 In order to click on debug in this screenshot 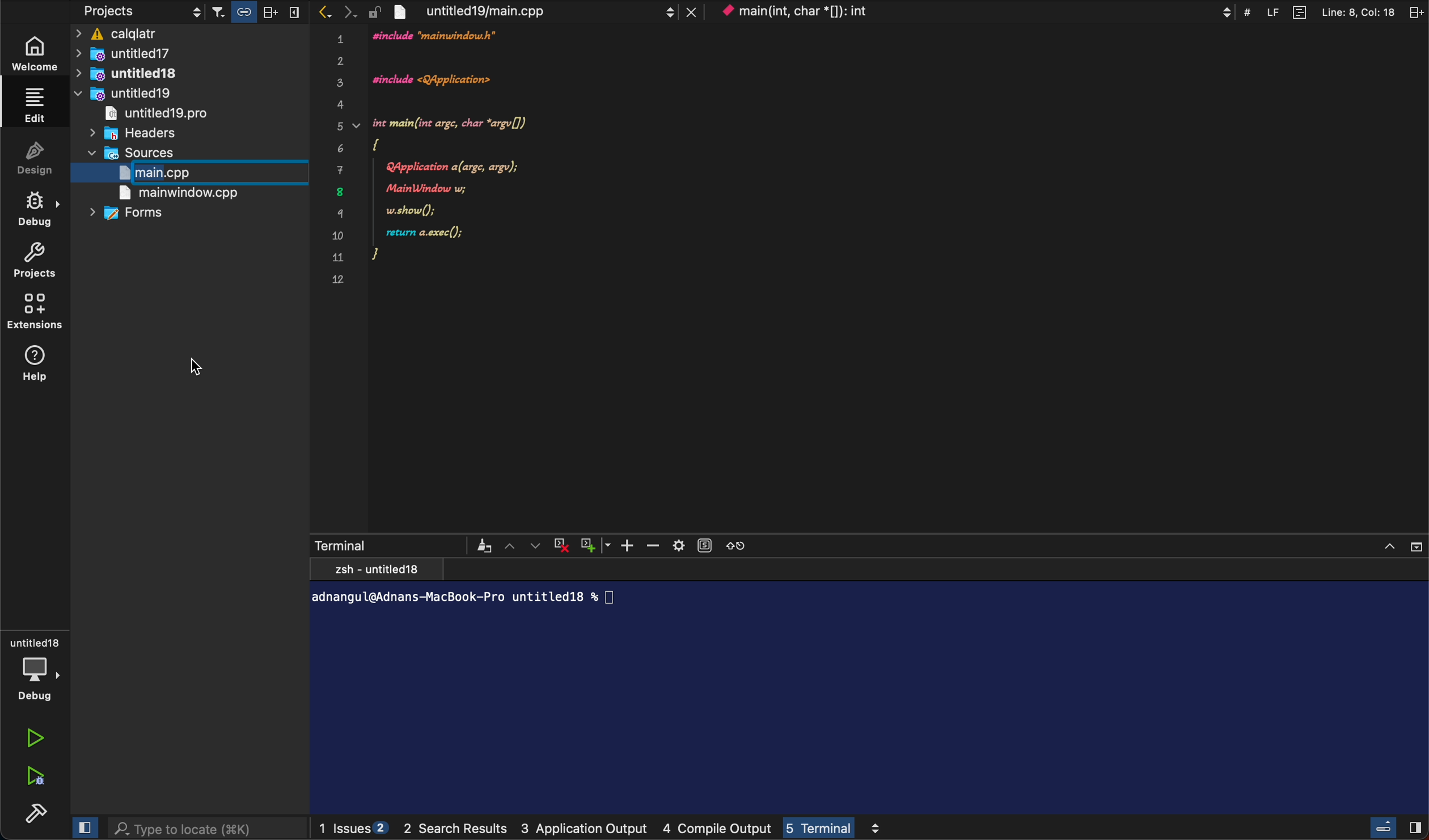, I will do `click(43, 210)`.